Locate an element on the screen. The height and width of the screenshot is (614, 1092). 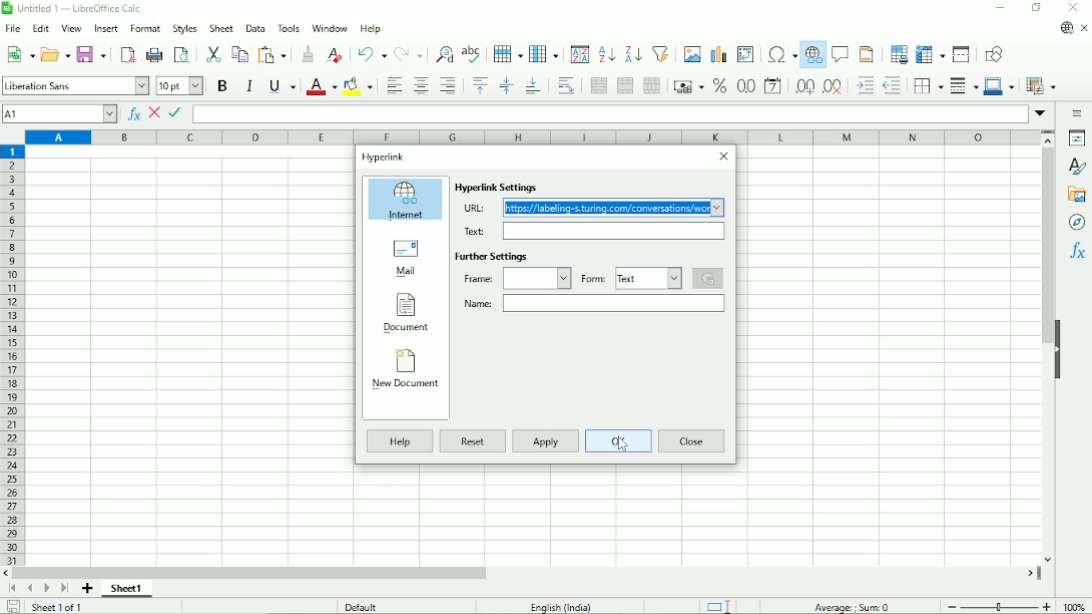
show draw function is located at coordinates (993, 53).